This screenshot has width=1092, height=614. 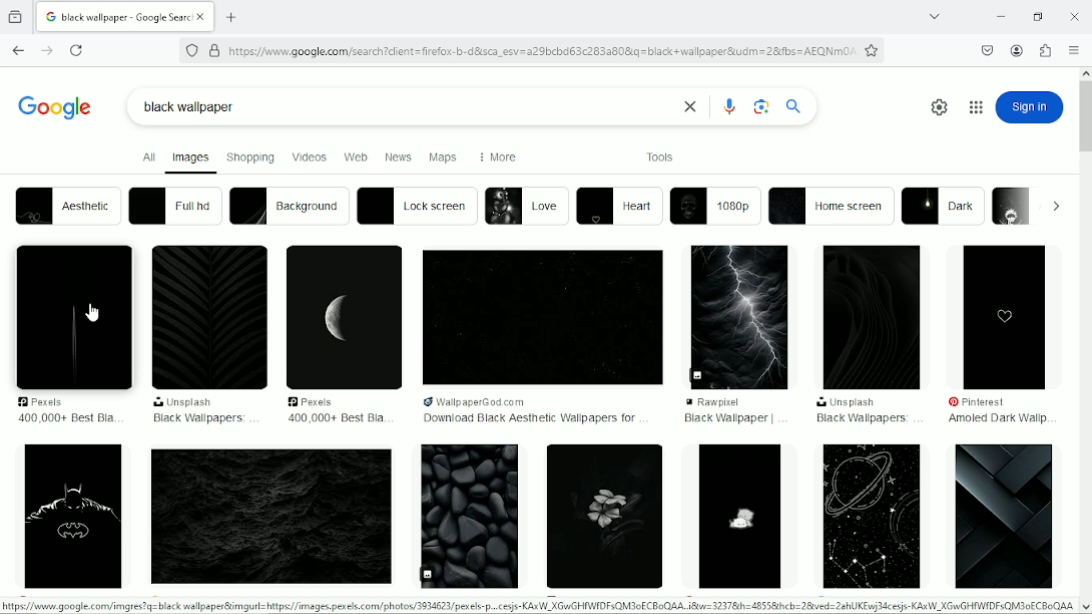 What do you see at coordinates (620, 207) in the screenshot?
I see `heart` at bounding box center [620, 207].